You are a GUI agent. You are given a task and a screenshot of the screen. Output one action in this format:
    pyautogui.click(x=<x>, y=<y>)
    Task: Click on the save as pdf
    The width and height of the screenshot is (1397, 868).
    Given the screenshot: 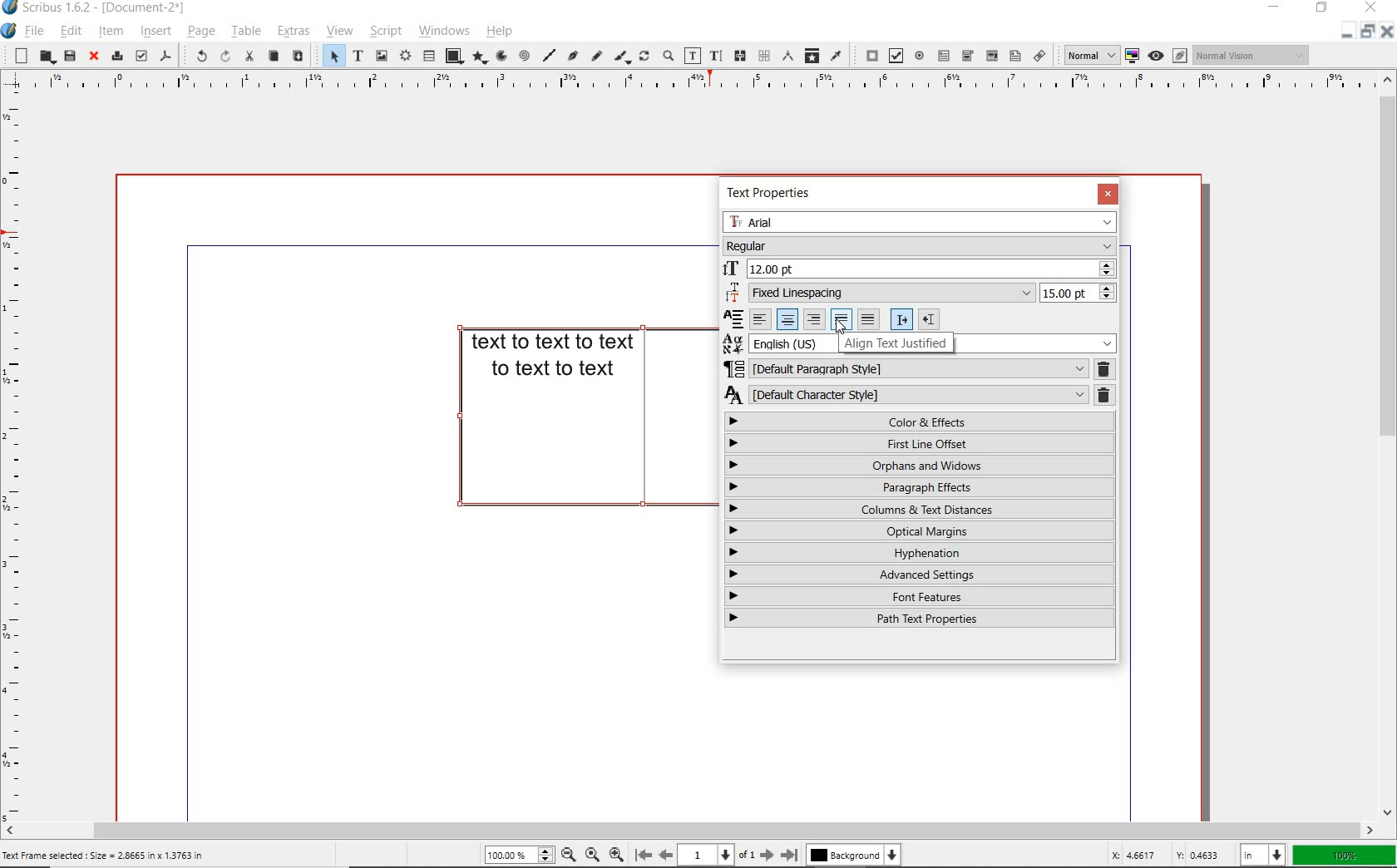 What is the action you would take?
    pyautogui.click(x=165, y=56)
    